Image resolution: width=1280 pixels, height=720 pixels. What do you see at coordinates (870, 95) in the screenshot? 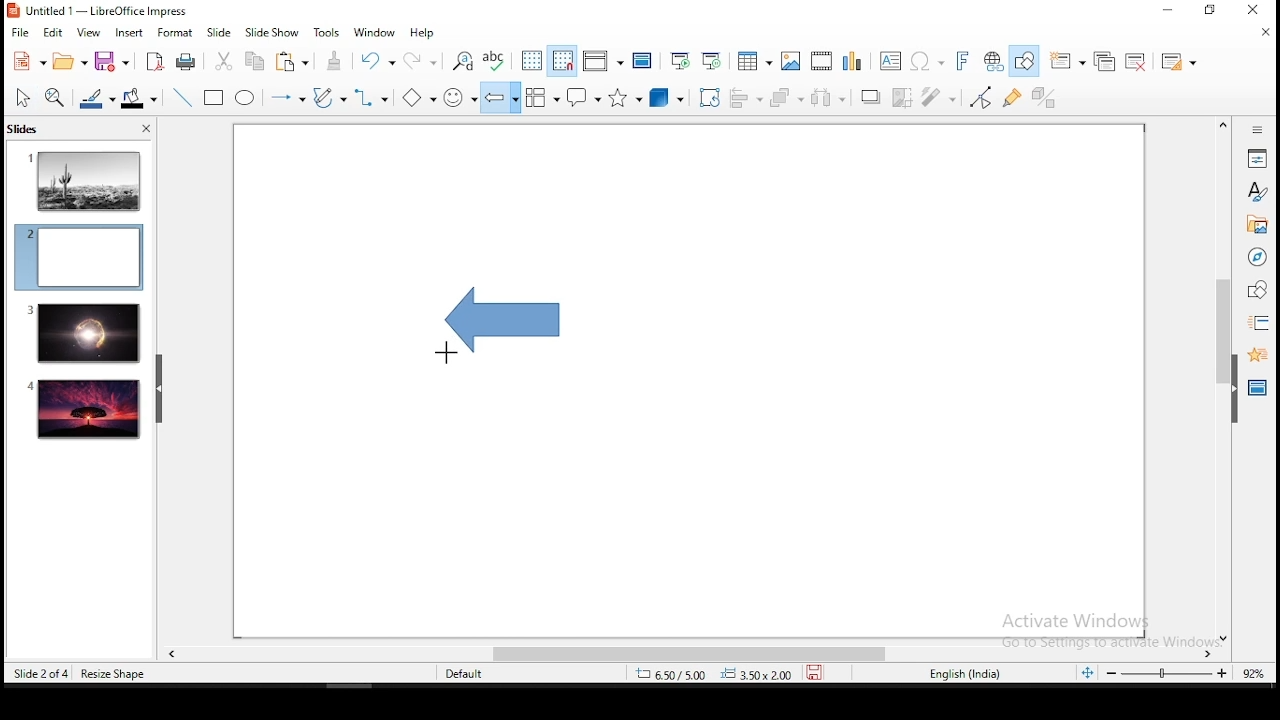
I see `shadow` at bounding box center [870, 95].